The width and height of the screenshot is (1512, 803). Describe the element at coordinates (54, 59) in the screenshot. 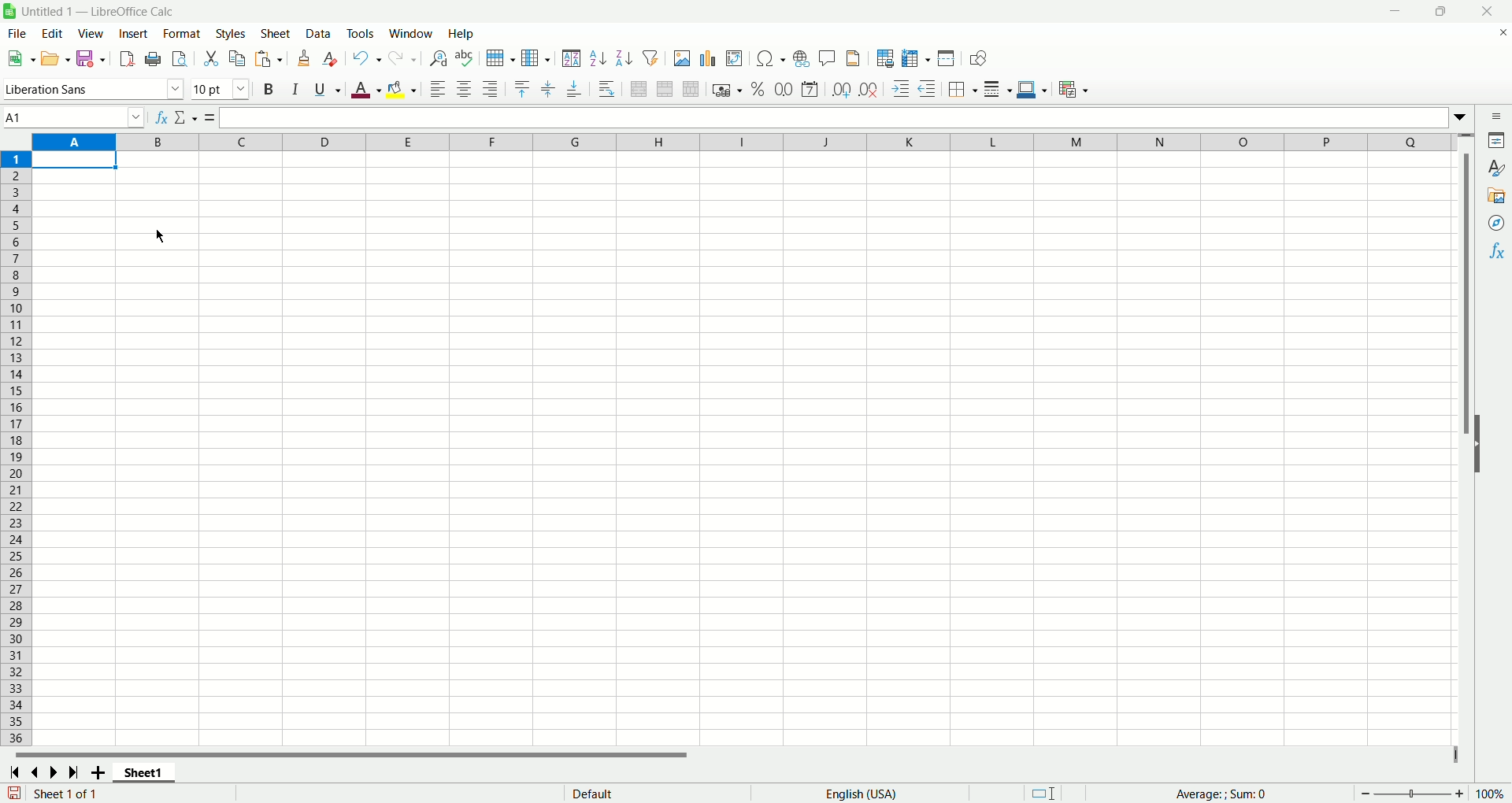

I see `open` at that location.